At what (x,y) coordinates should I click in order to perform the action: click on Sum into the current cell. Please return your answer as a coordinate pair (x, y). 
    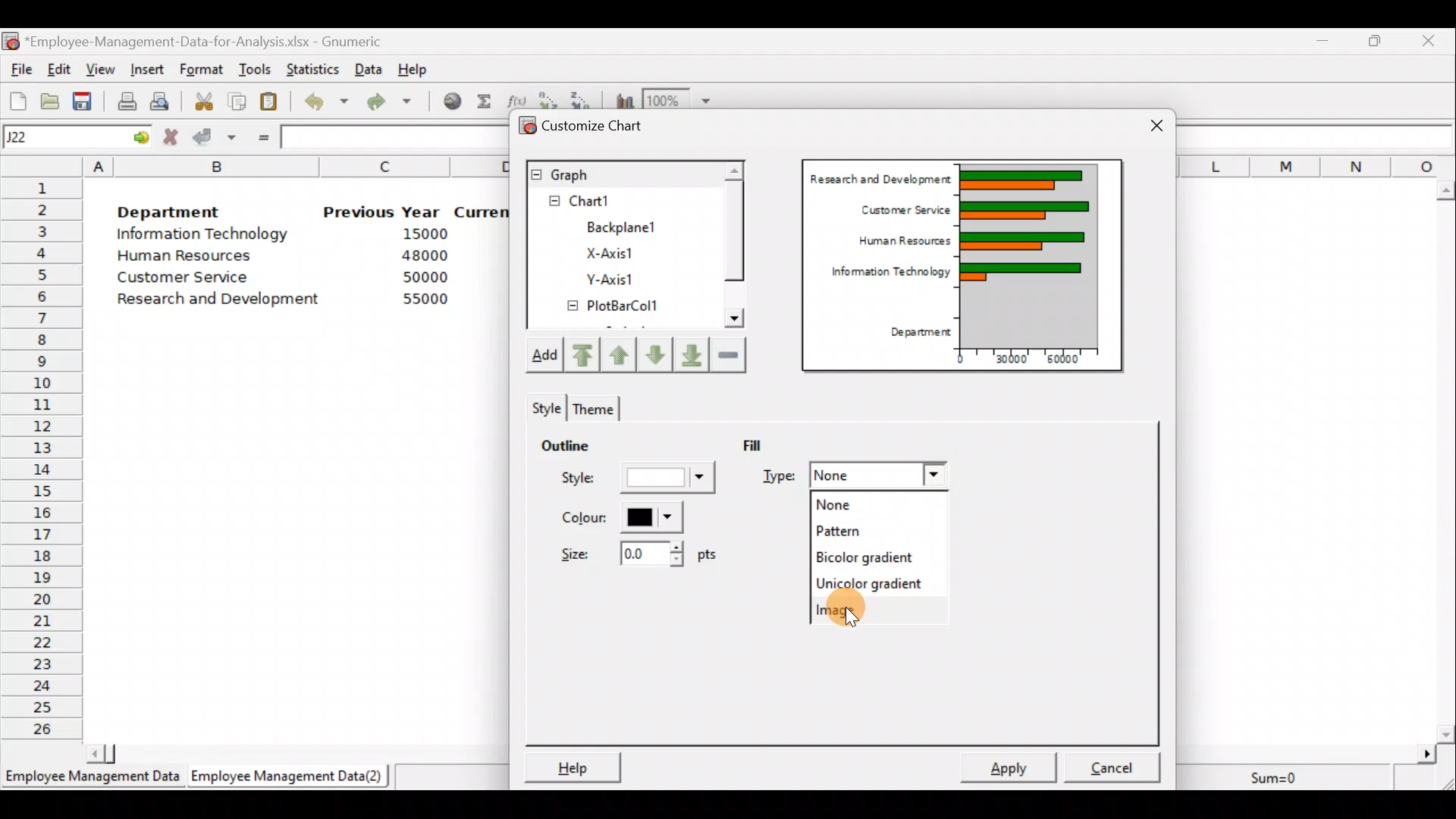
    Looking at the image, I should click on (485, 105).